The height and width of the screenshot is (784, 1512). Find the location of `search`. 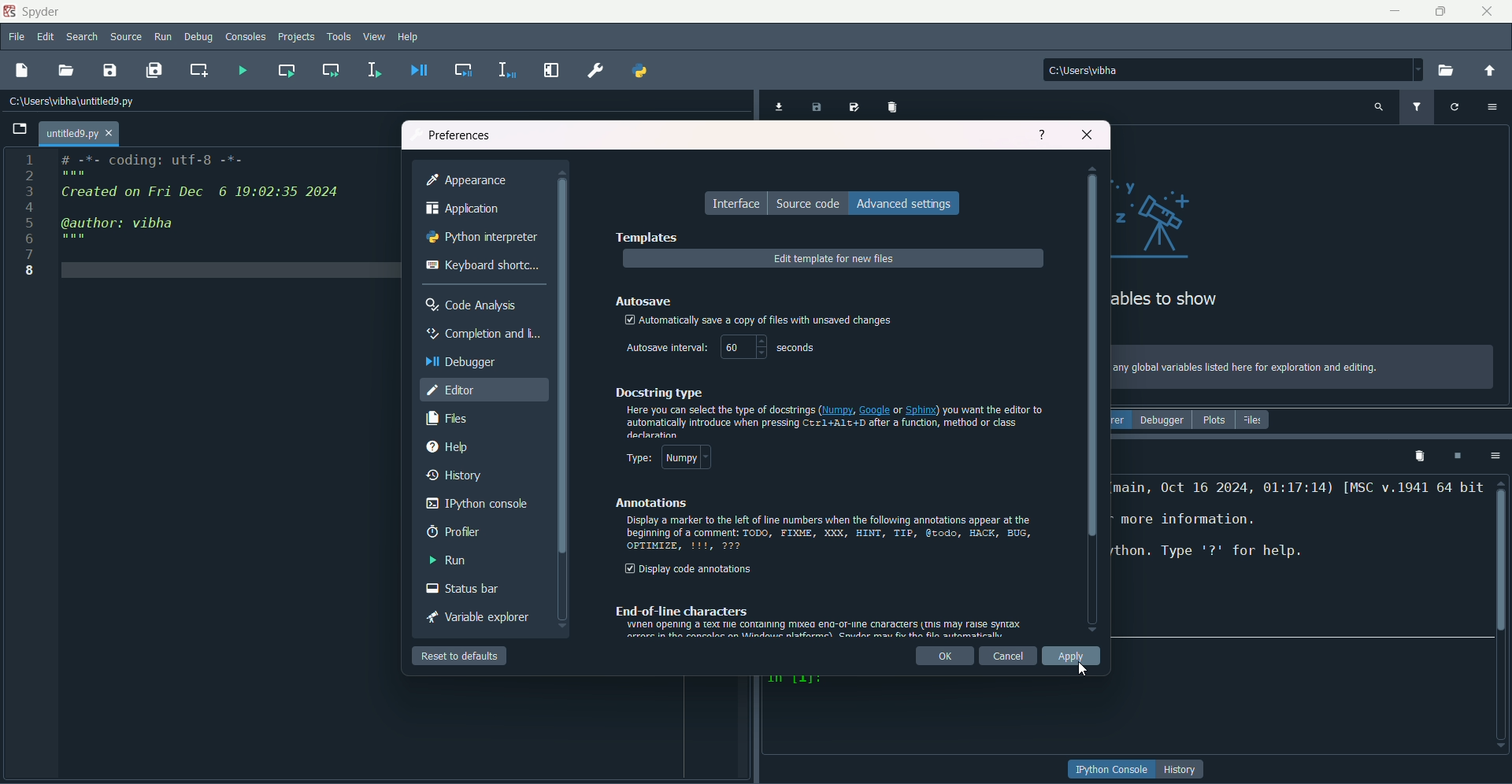

search is located at coordinates (82, 39).